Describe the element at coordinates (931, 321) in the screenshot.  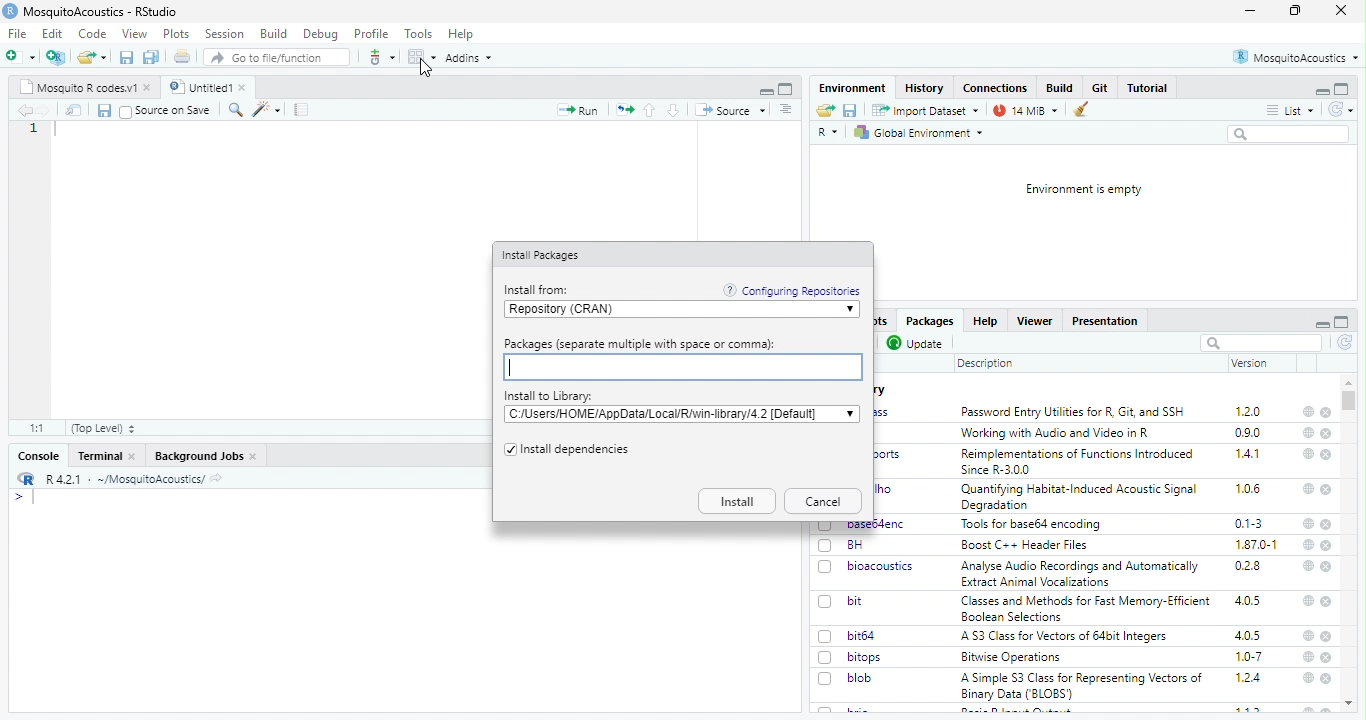
I see `Packages` at that location.